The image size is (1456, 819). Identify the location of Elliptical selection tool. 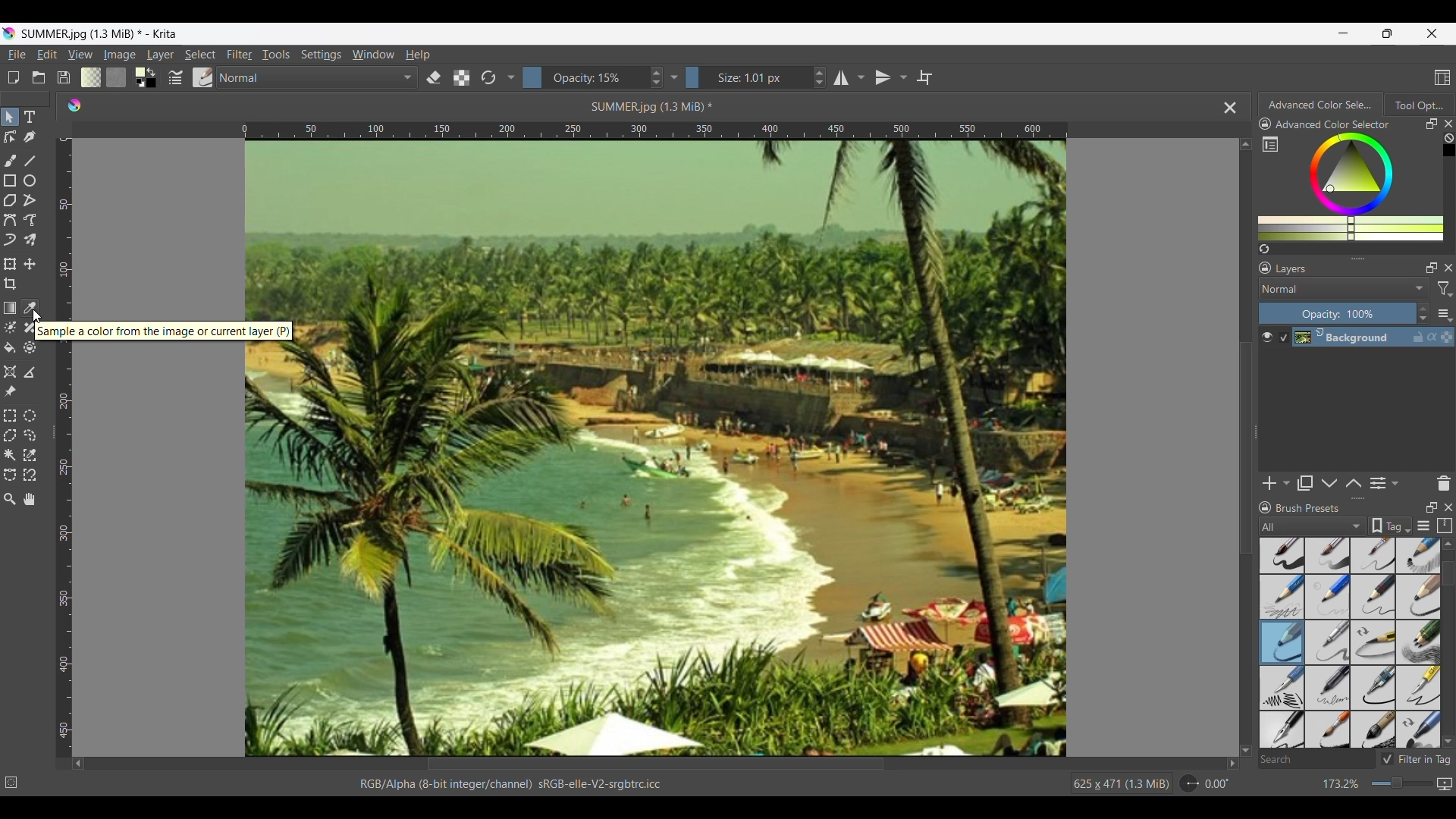
(29, 416).